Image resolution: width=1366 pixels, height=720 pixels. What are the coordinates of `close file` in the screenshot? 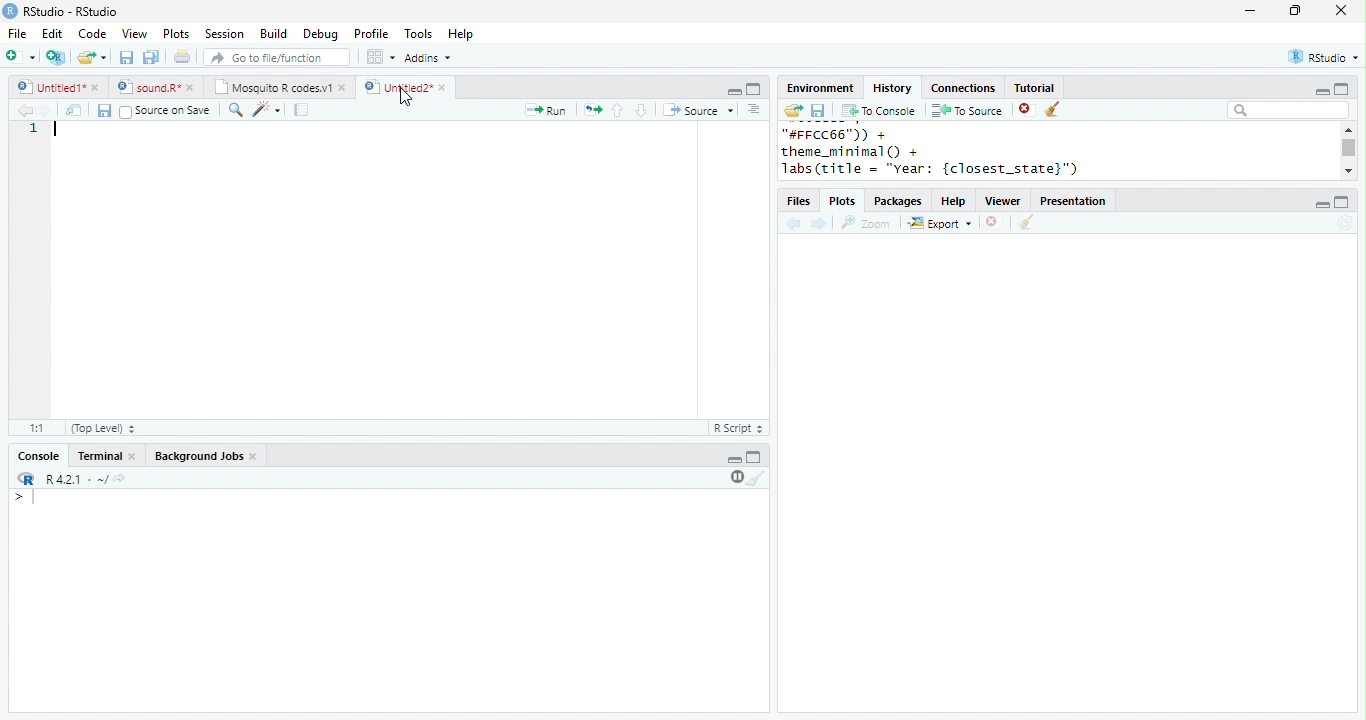 It's located at (992, 222).